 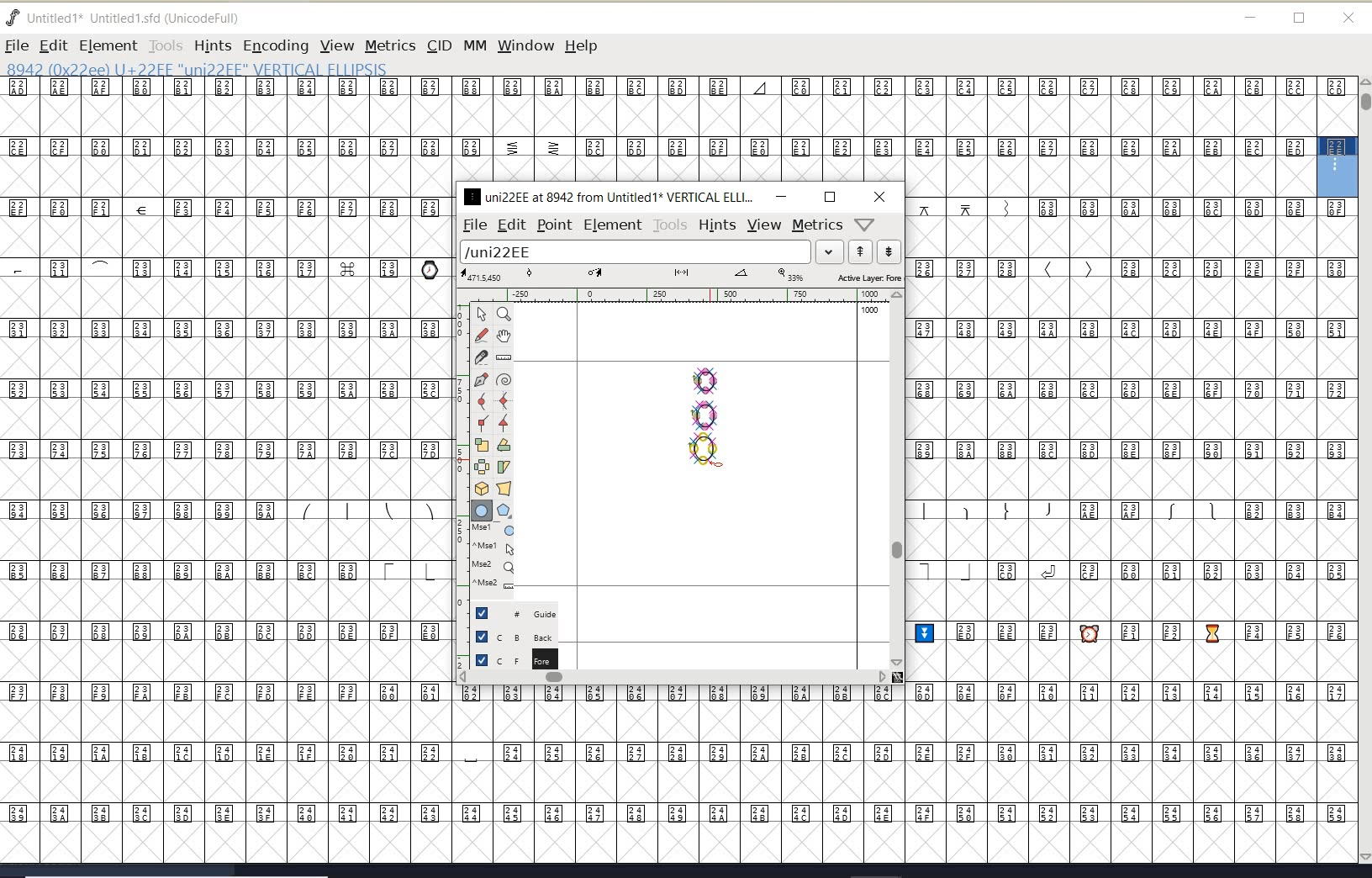 What do you see at coordinates (141, 16) in the screenshot?
I see `untitled1* Untitled 1.sfd (UnicodeFull)` at bounding box center [141, 16].